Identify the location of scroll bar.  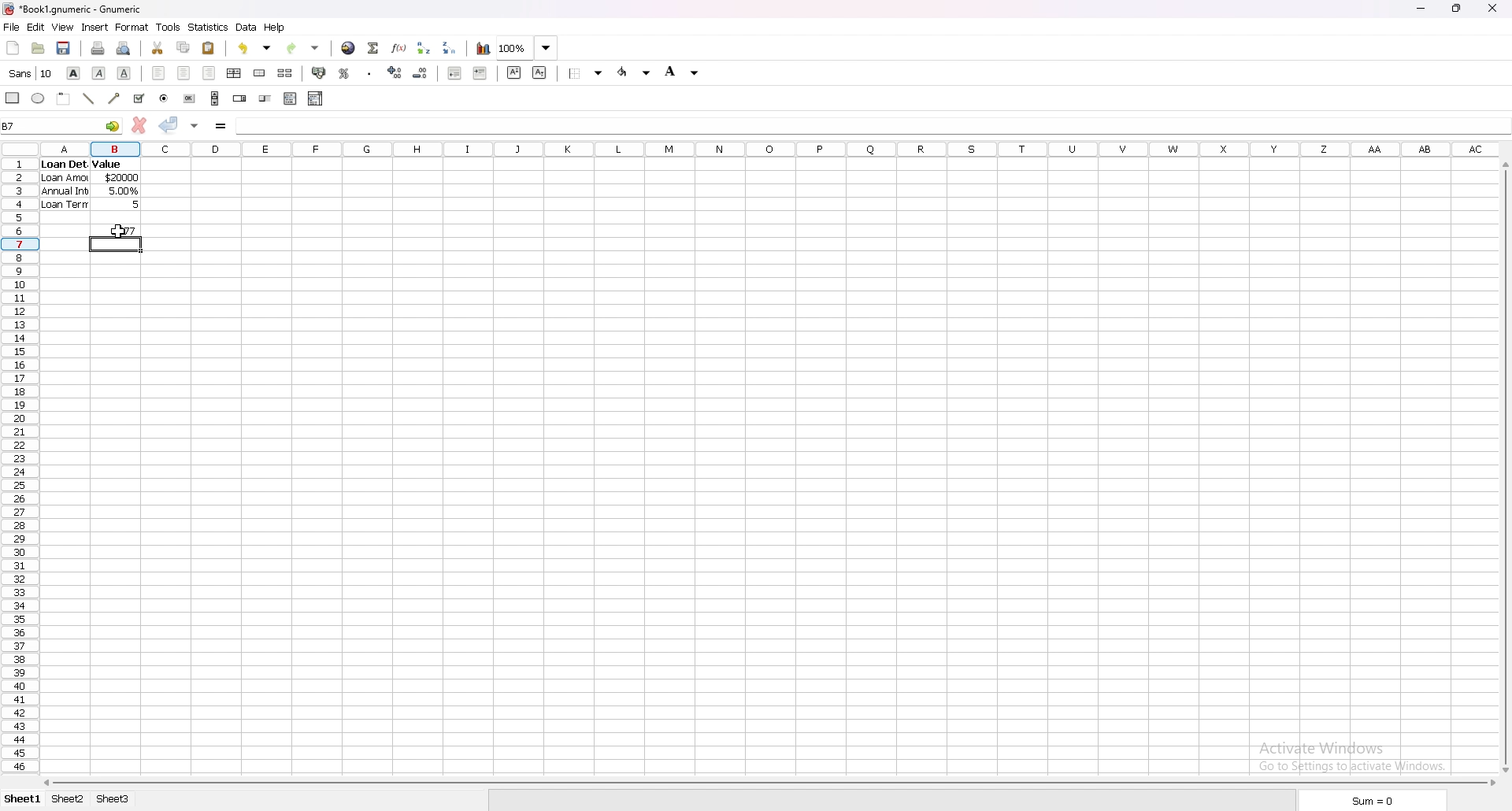
(768, 783).